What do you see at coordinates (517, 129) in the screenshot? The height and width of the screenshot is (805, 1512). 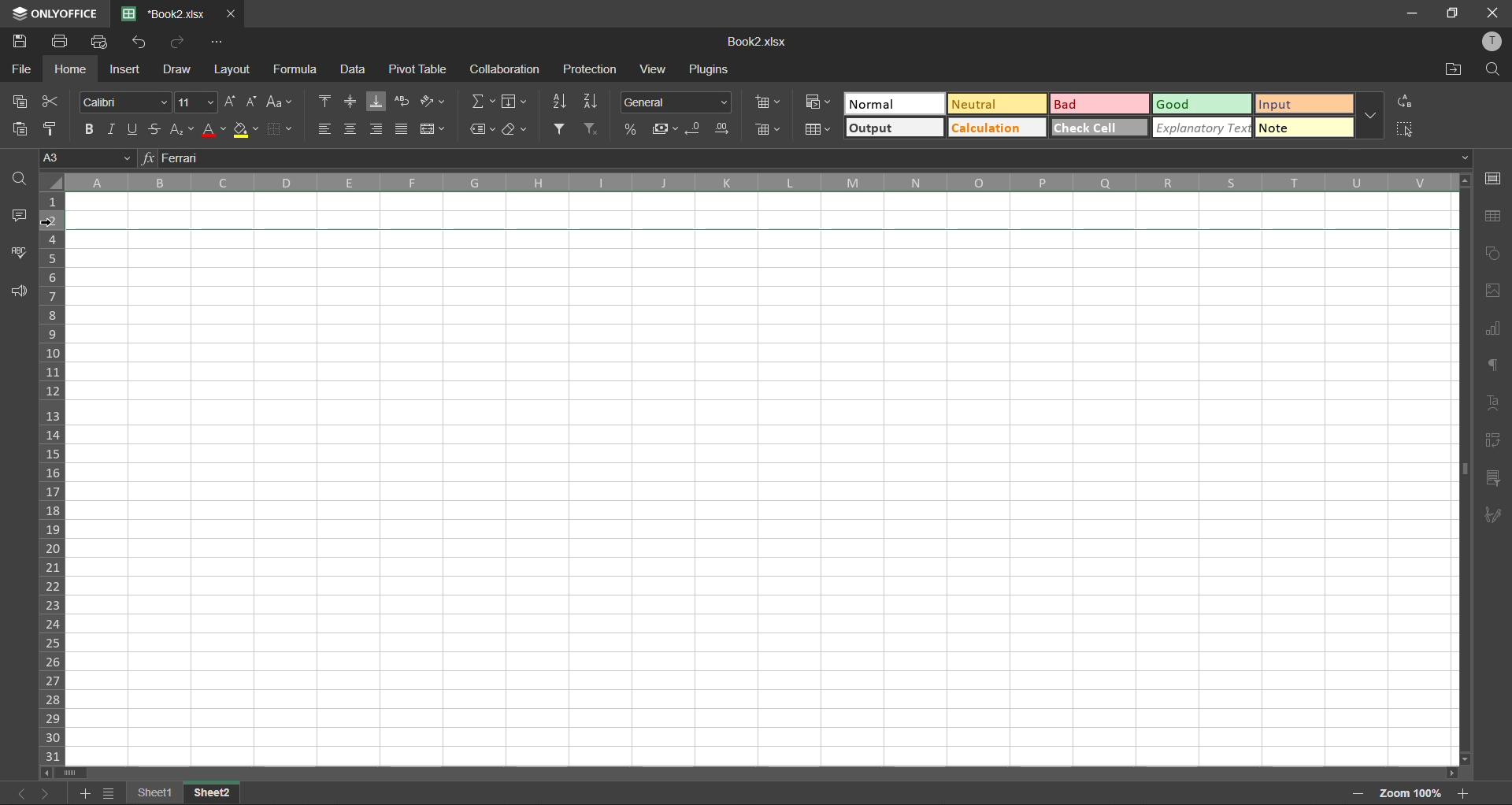 I see `clear` at bounding box center [517, 129].